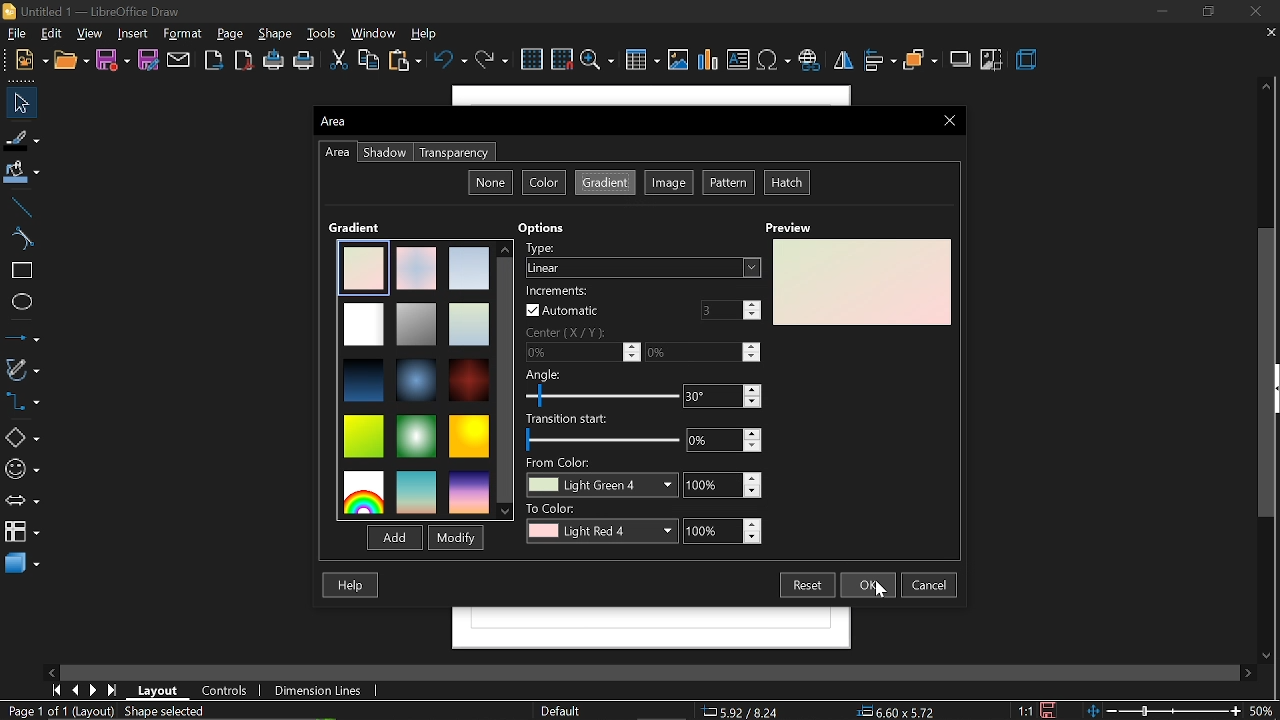  I want to click on paste, so click(406, 62).